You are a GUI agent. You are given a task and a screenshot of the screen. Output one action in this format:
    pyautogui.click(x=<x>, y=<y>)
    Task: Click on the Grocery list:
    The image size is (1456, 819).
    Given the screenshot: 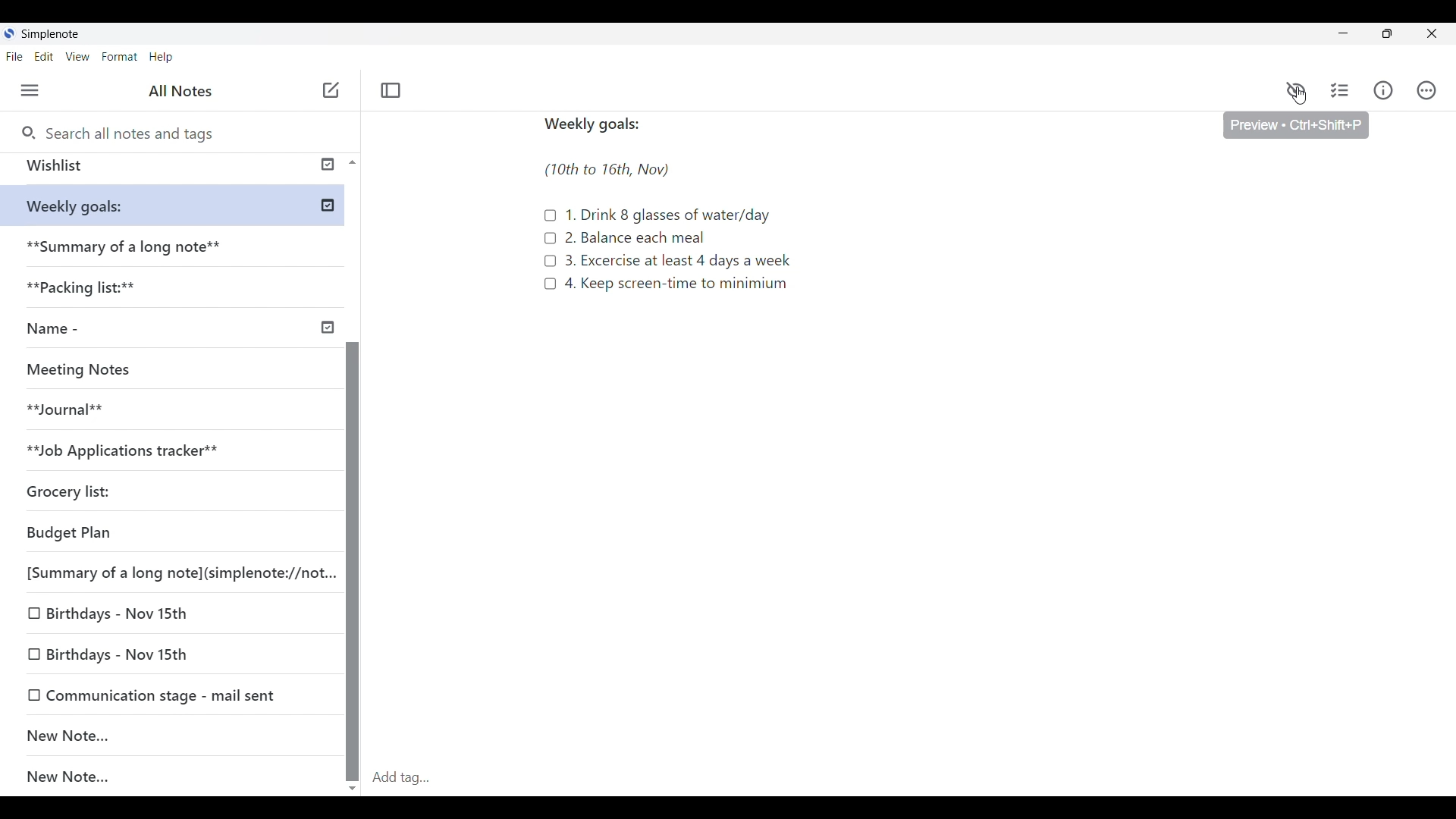 What is the action you would take?
    pyautogui.click(x=92, y=487)
    